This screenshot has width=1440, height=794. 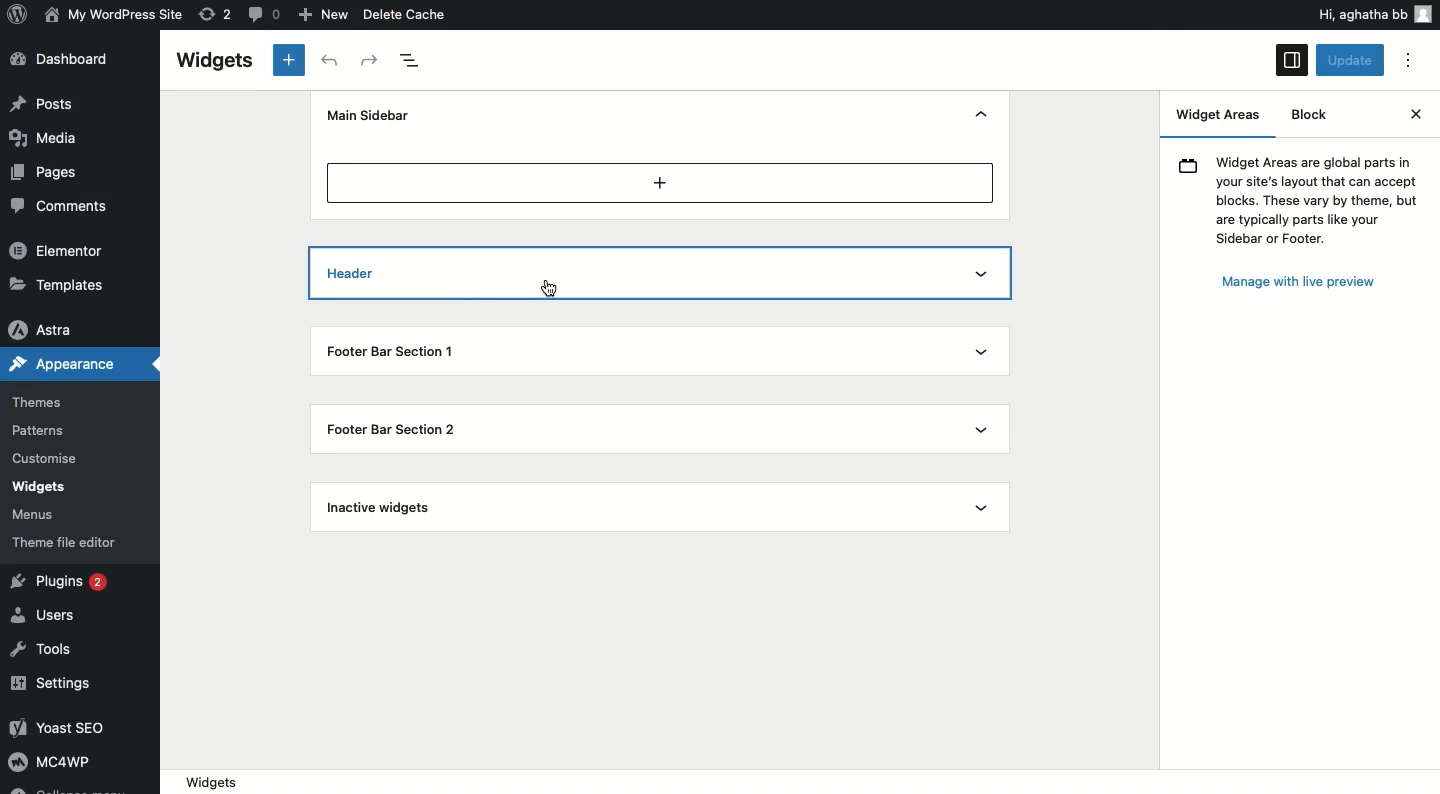 I want to click on Astra, so click(x=44, y=331).